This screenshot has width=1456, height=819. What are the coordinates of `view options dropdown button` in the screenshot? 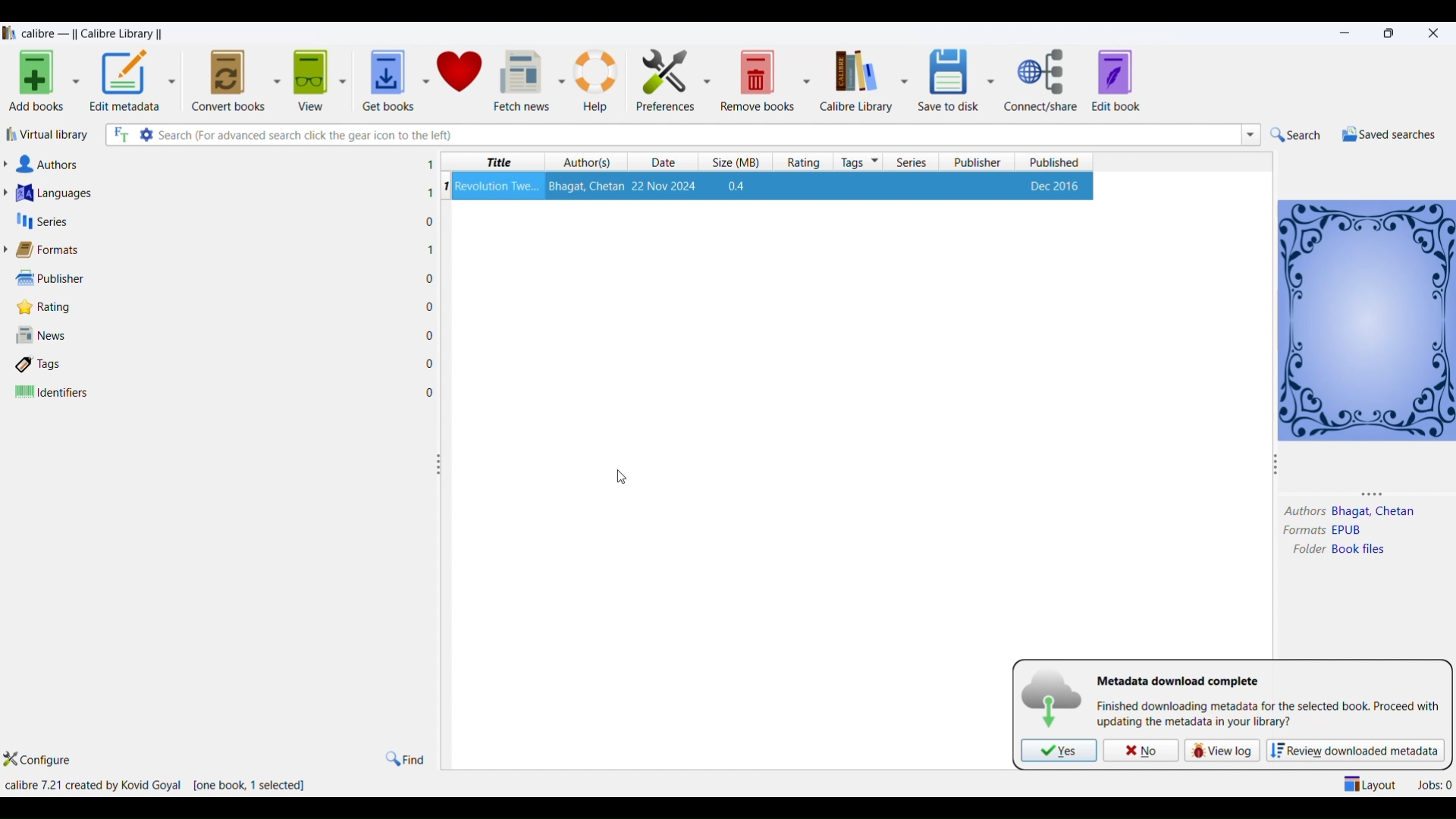 It's located at (340, 75).